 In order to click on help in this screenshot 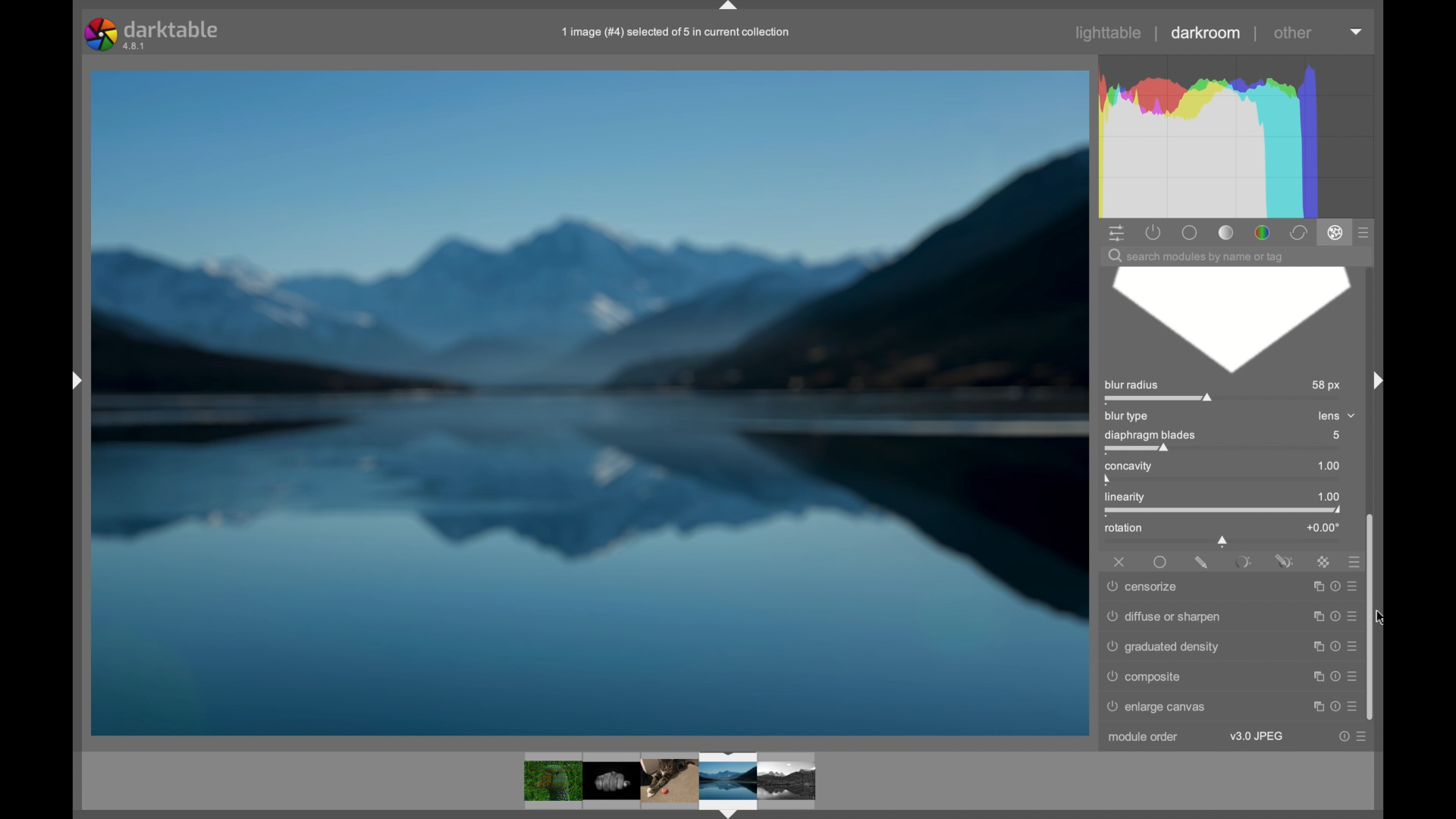, I will do `click(1333, 613)`.